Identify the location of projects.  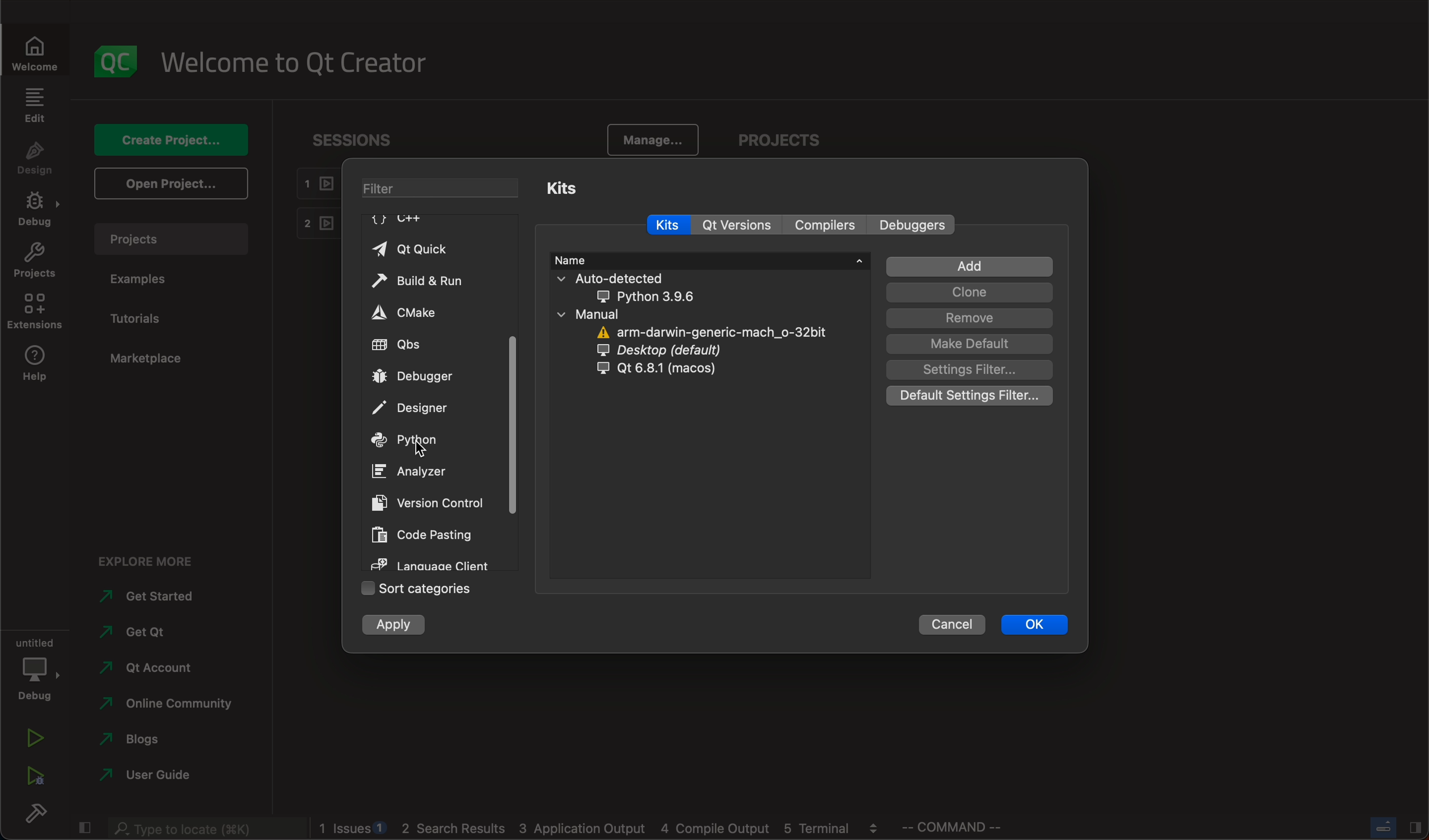
(33, 261).